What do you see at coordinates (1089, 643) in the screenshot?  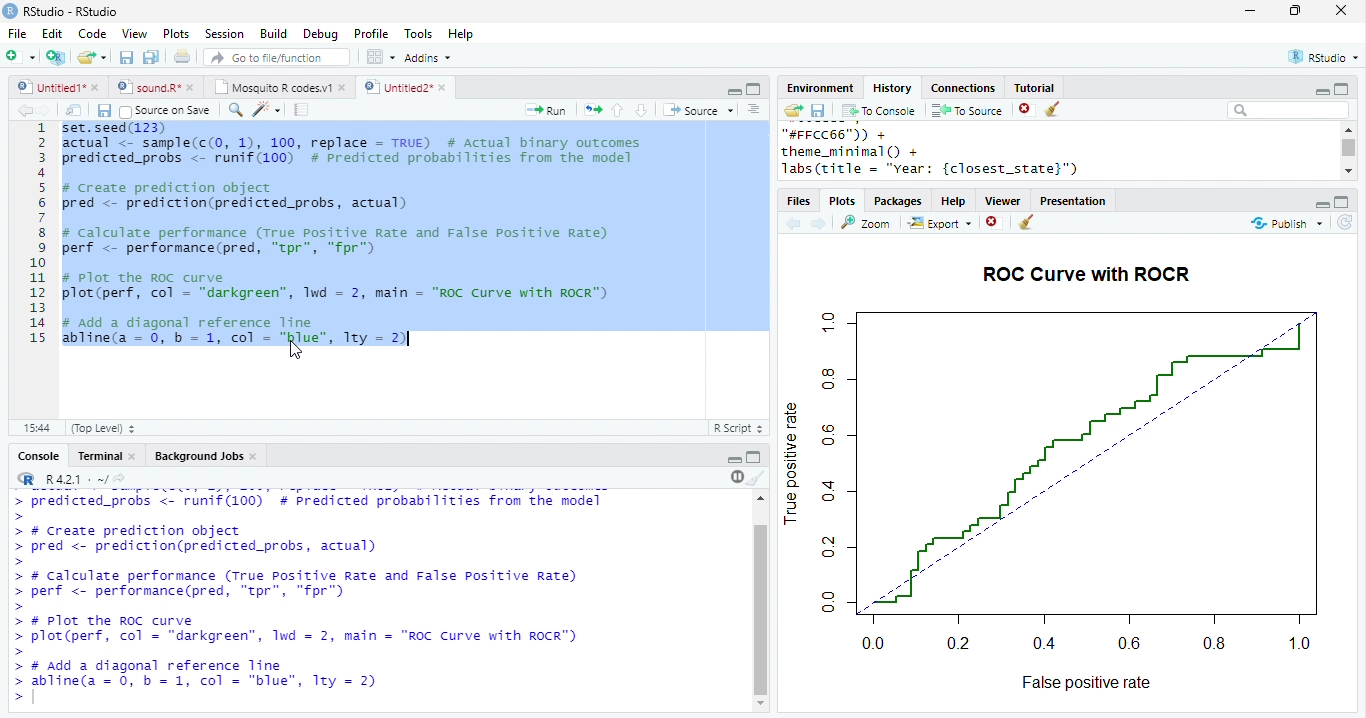 I see `false positive rate meter` at bounding box center [1089, 643].